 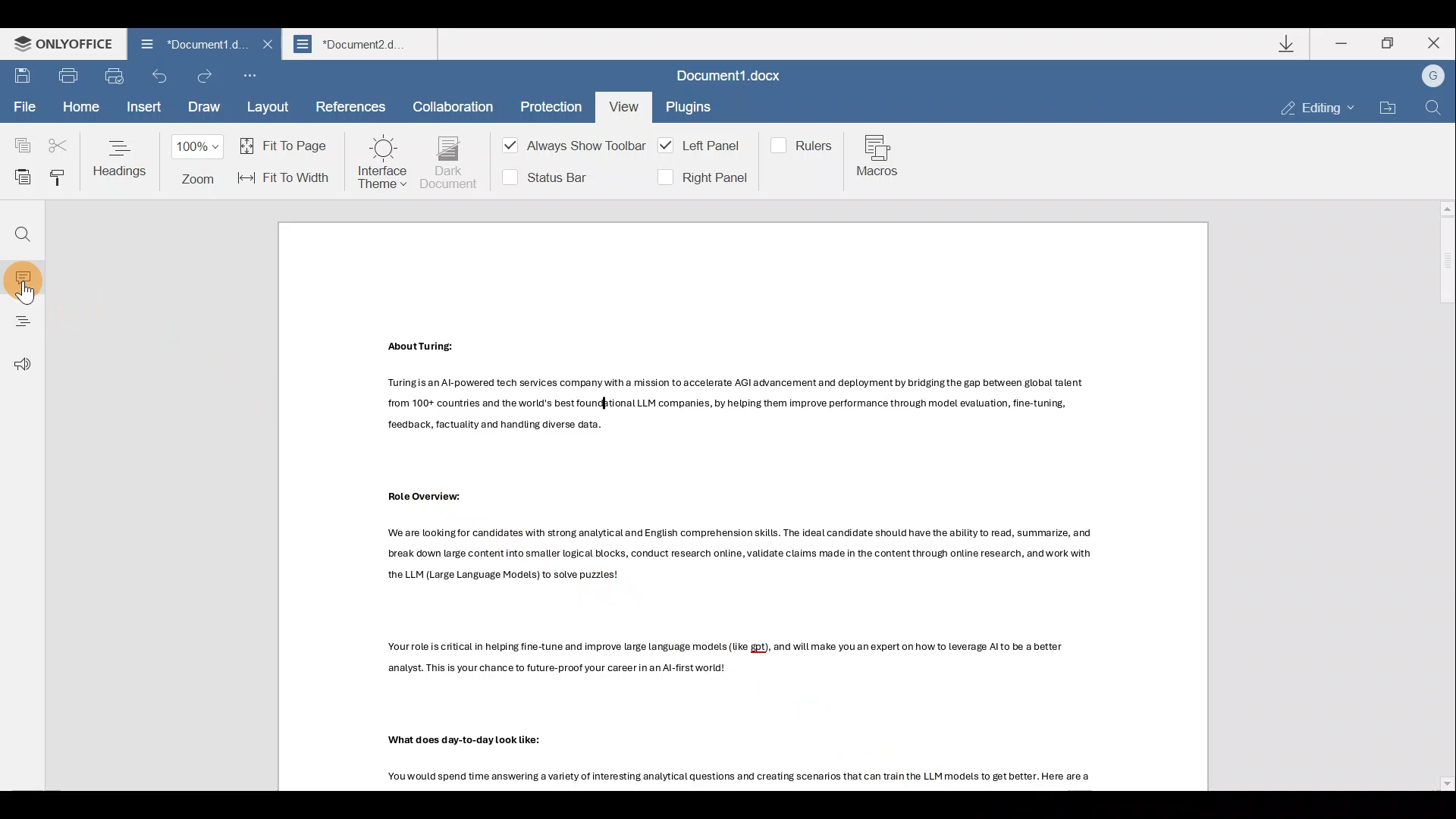 What do you see at coordinates (1343, 42) in the screenshot?
I see `Minimize` at bounding box center [1343, 42].